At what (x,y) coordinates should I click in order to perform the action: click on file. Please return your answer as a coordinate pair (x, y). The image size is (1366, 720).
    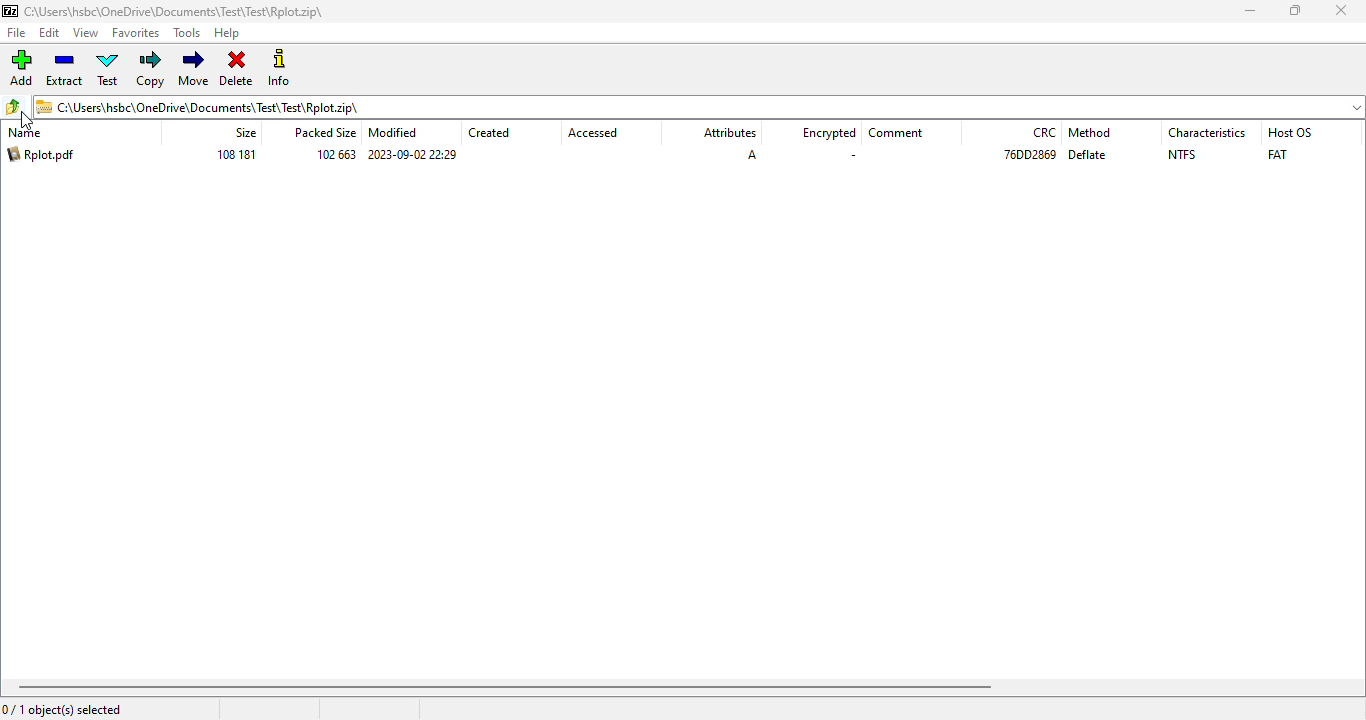
    Looking at the image, I should click on (16, 33).